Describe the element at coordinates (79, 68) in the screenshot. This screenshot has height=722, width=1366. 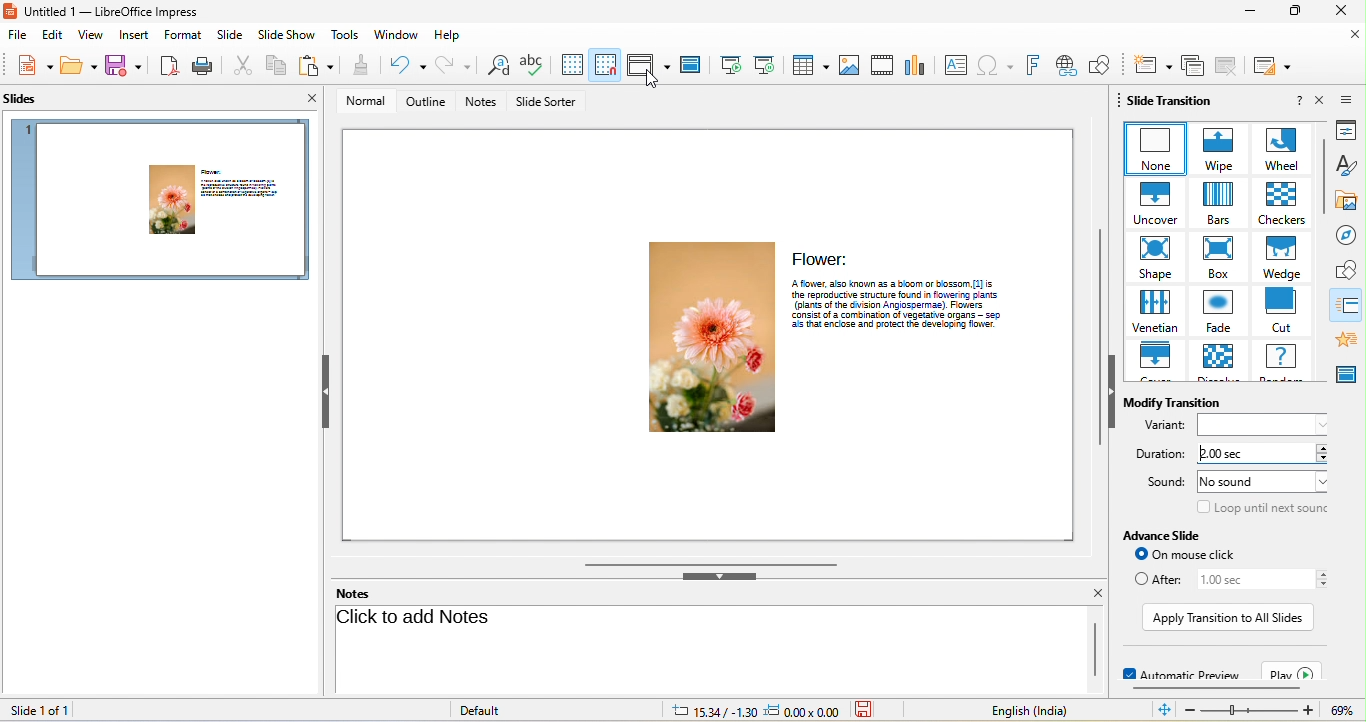
I see `save` at that location.